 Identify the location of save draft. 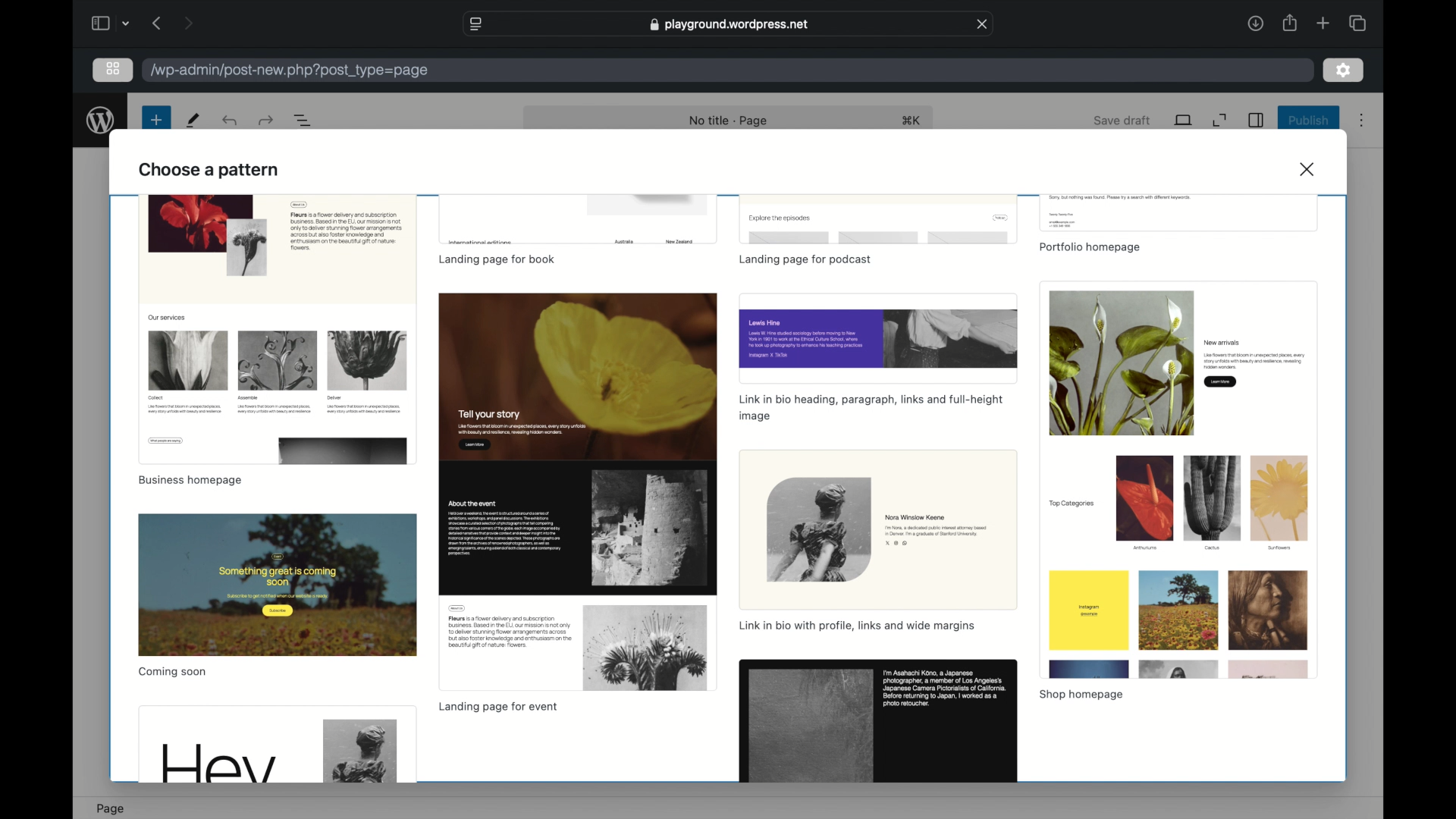
(1122, 120).